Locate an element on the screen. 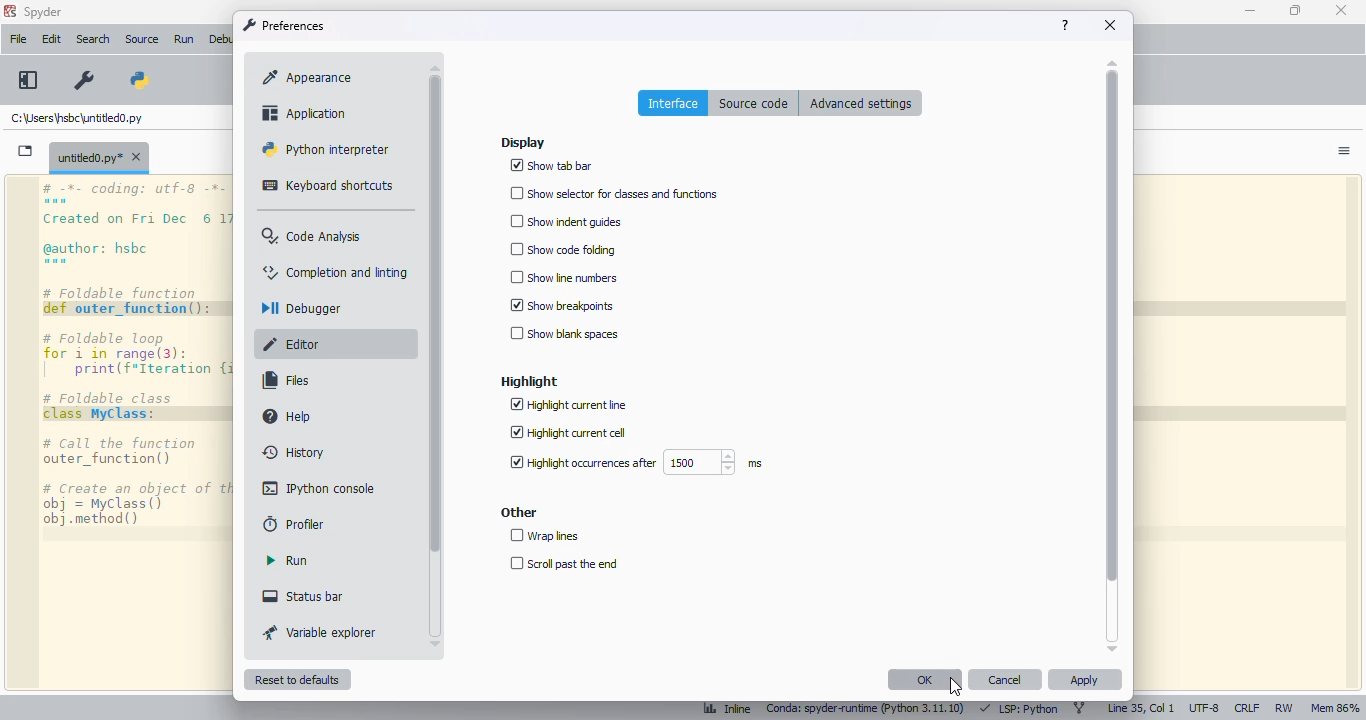 The height and width of the screenshot is (720, 1366). show code folding is located at coordinates (563, 250).